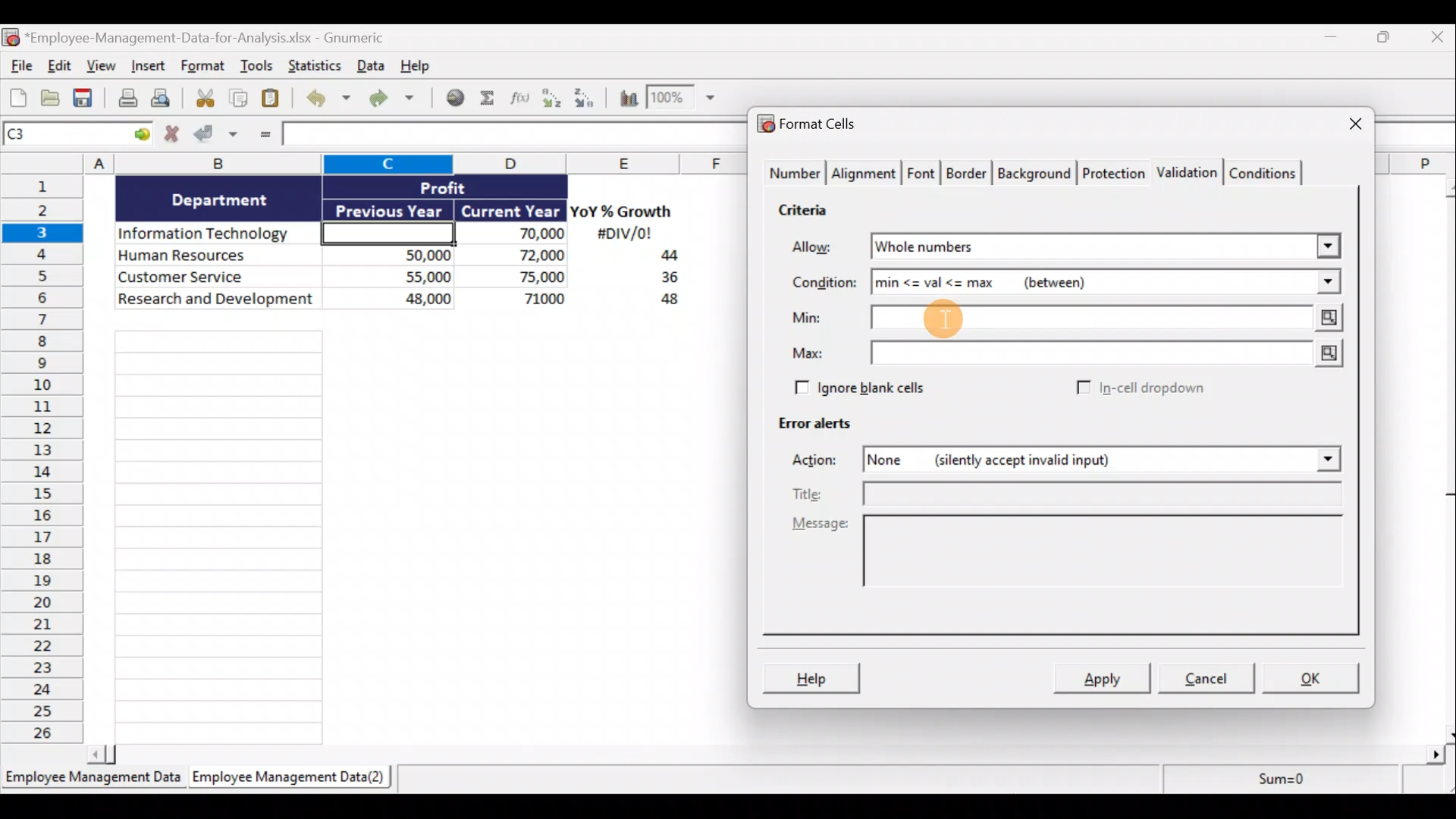 The width and height of the screenshot is (1456, 819). What do you see at coordinates (84, 99) in the screenshot?
I see `Save current workbook` at bounding box center [84, 99].